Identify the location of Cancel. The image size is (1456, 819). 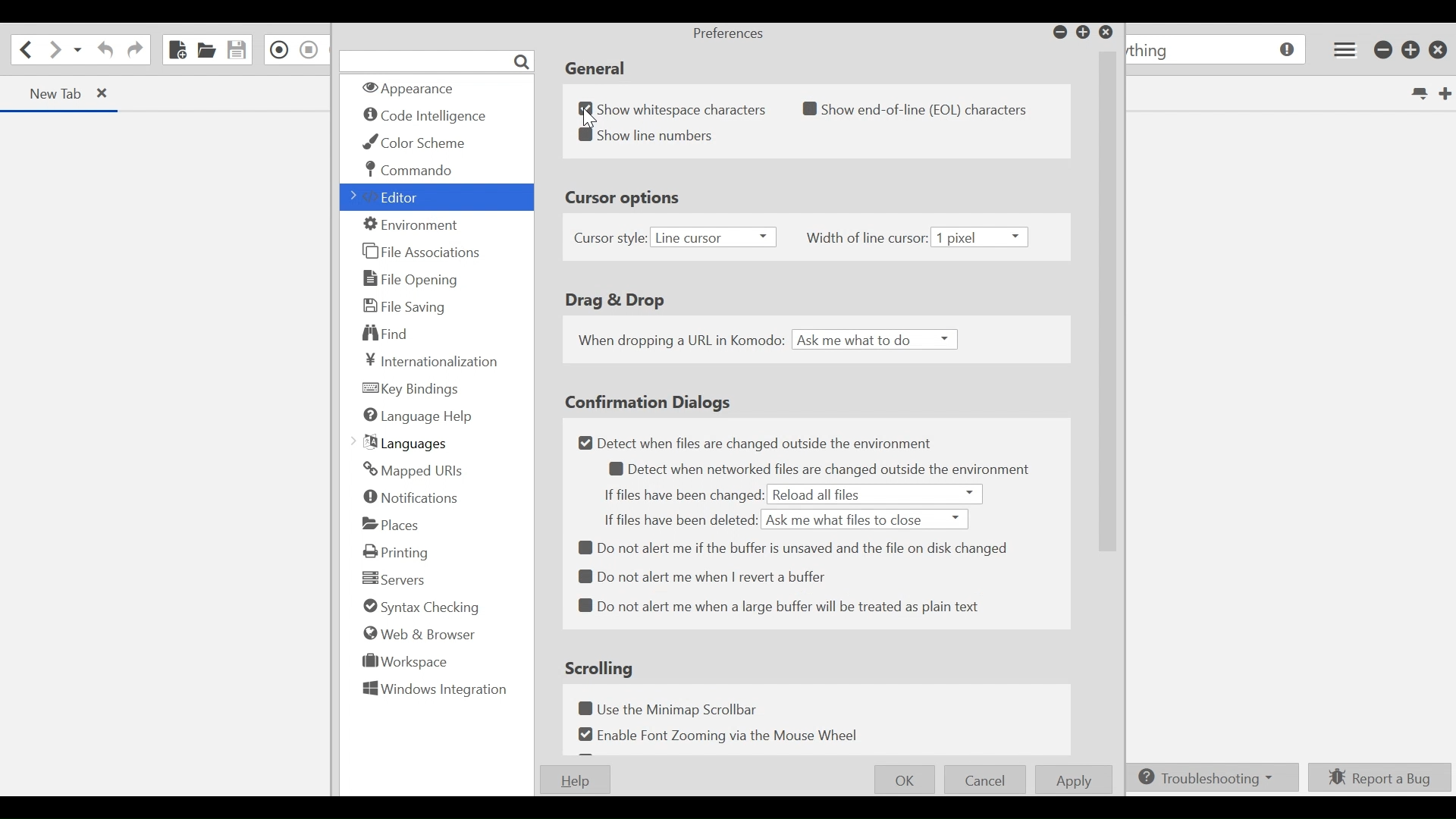
(985, 779).